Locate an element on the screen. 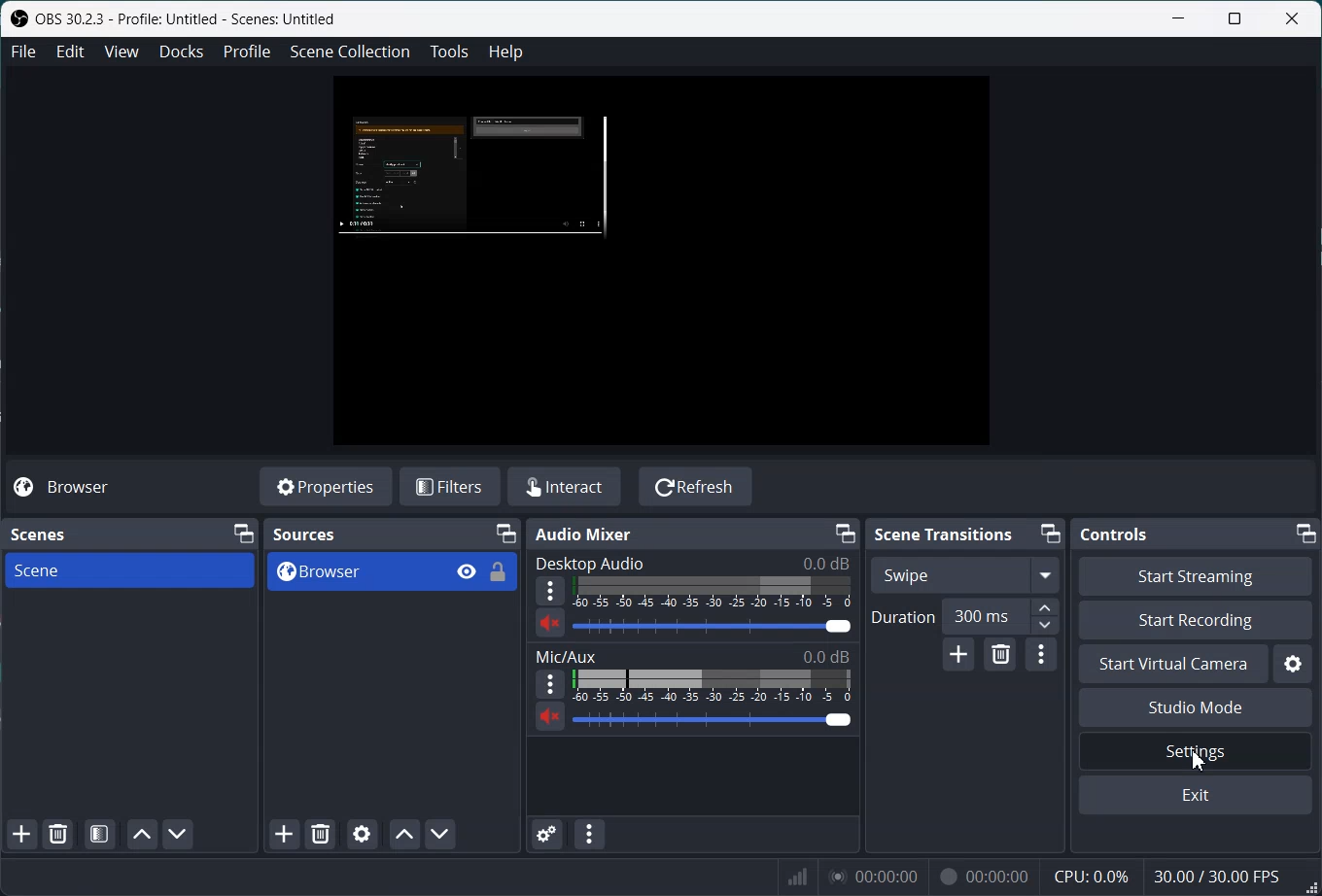 The height and width of the screenshot is (896, 1322). Remove configurable transition is located at coordinates (1000, 655).